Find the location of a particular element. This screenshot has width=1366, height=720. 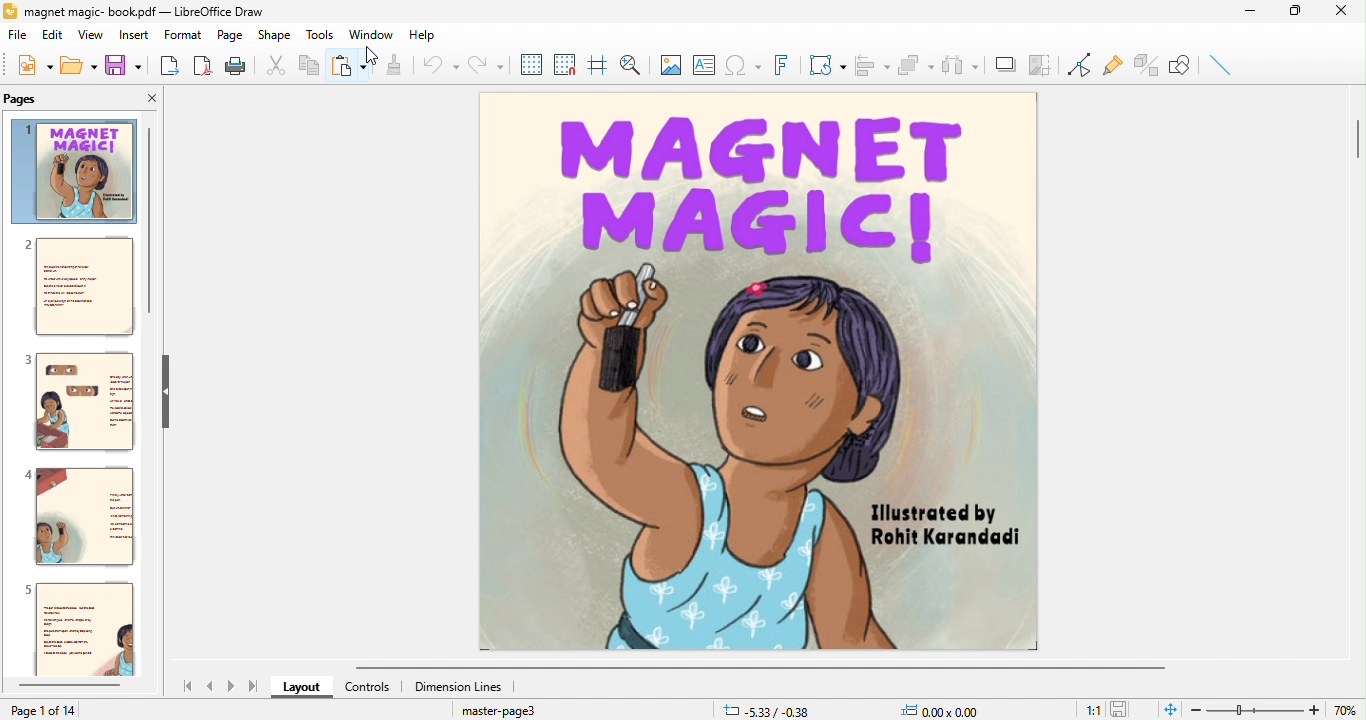

undo is located at coordinates (437, 65).